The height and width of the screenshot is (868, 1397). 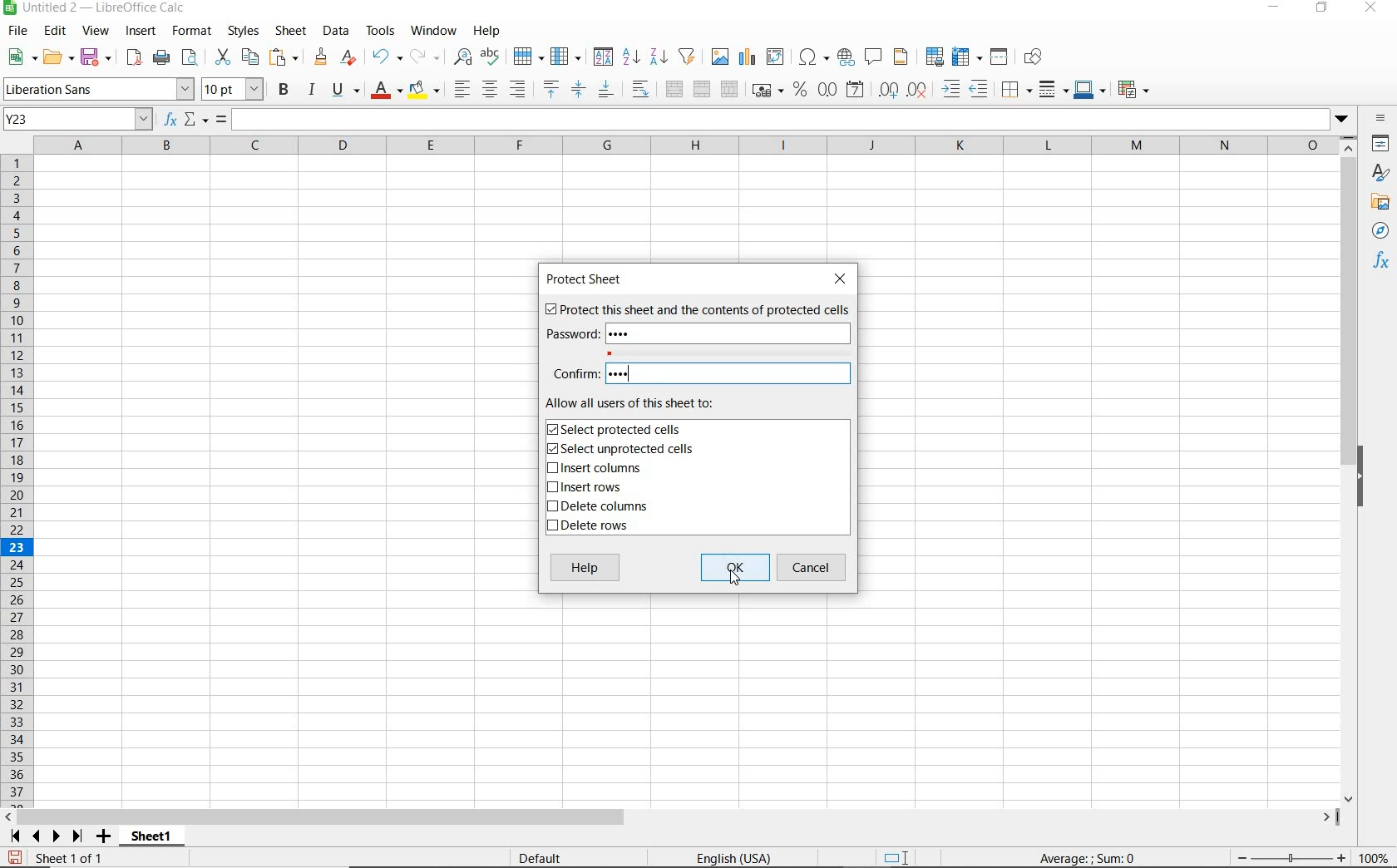 What do you see at coordinates (1379, 264) in the screenshot?
I see `functions` at bounding box center [1379, 264].